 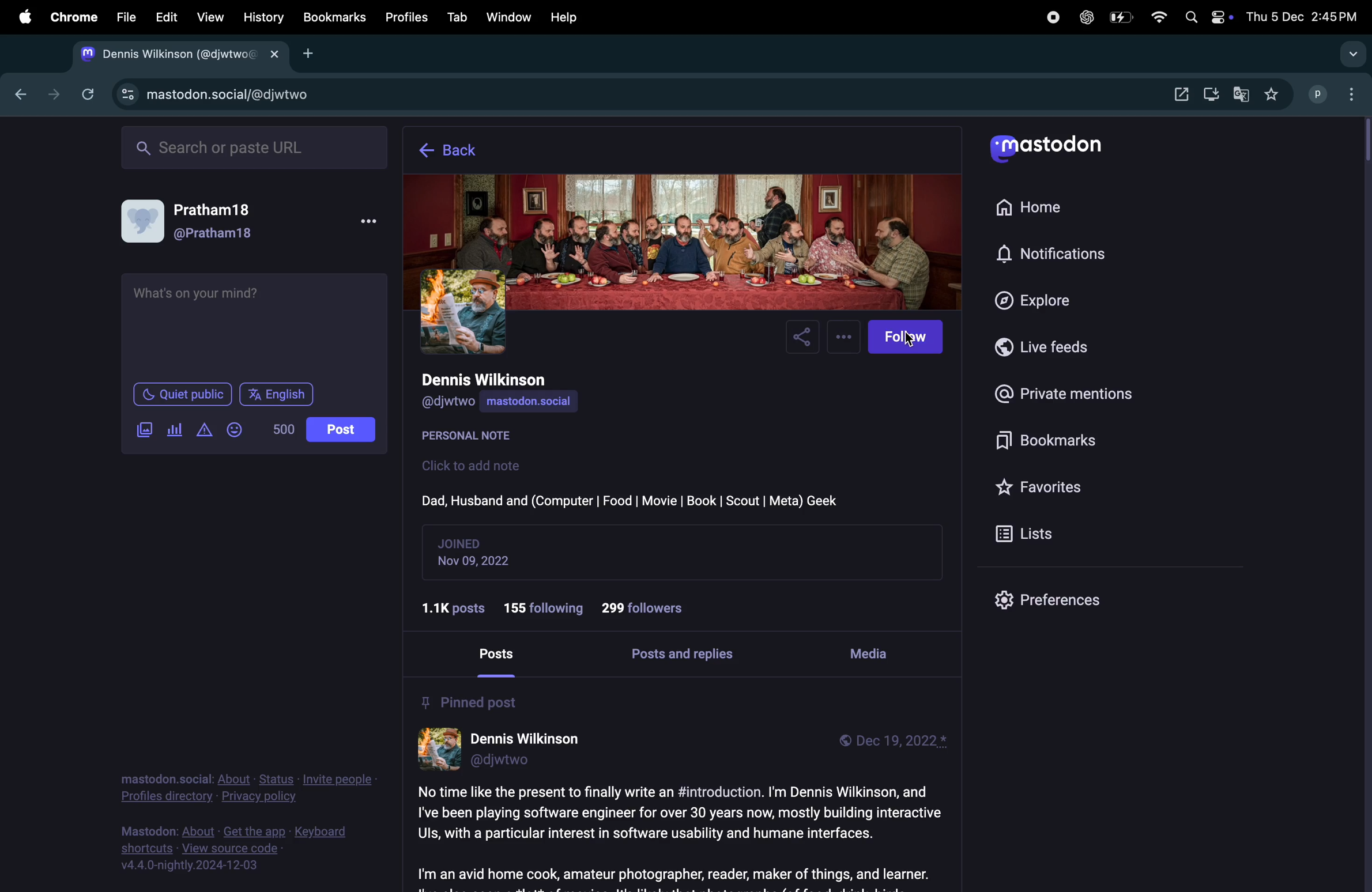 What do you see at coordinates (1048, 18) in the screenshot?
I see `record` at bounding box center [1048, 18].